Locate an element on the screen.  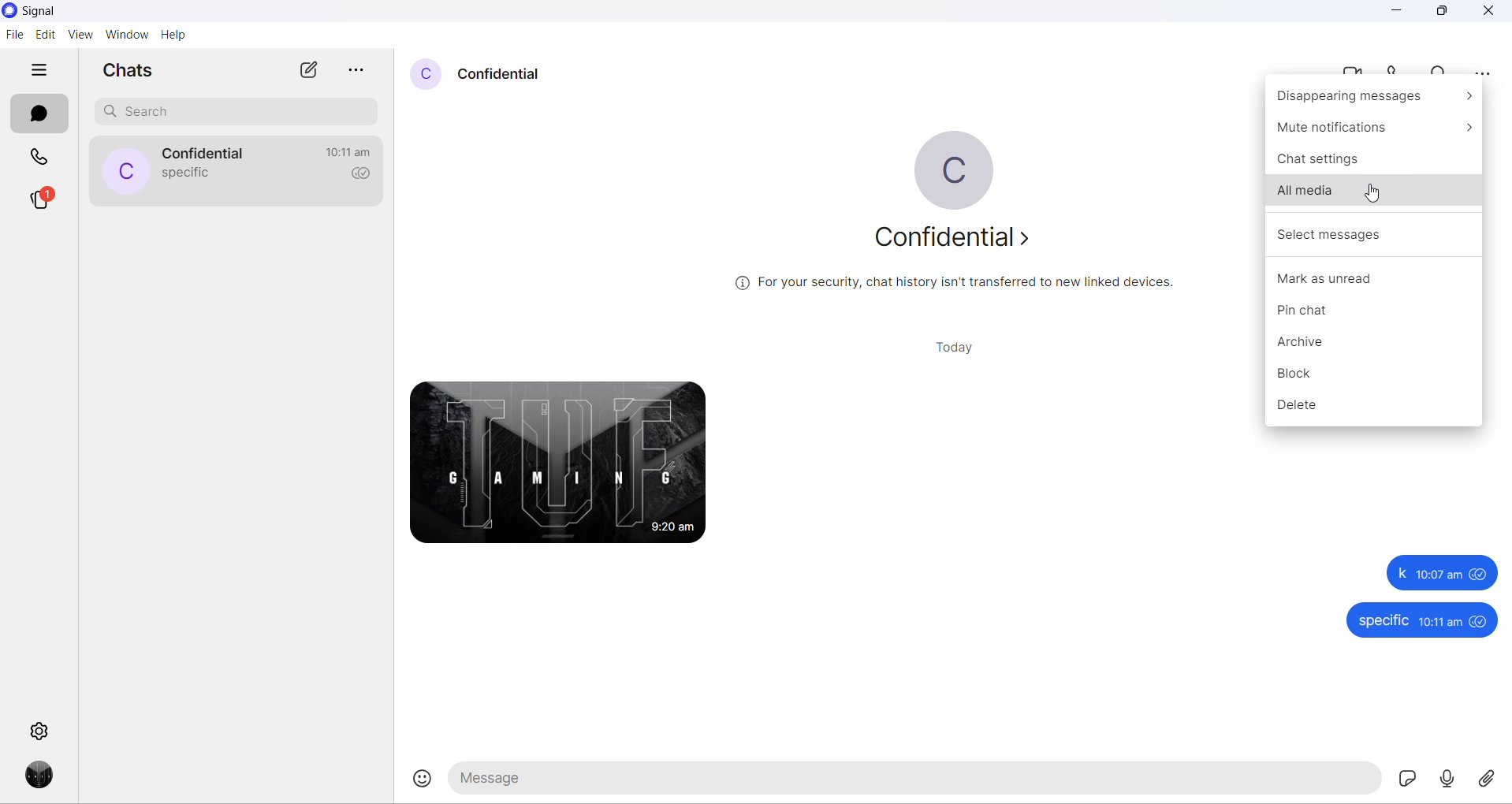
settings is located at coordinates (39, 731).